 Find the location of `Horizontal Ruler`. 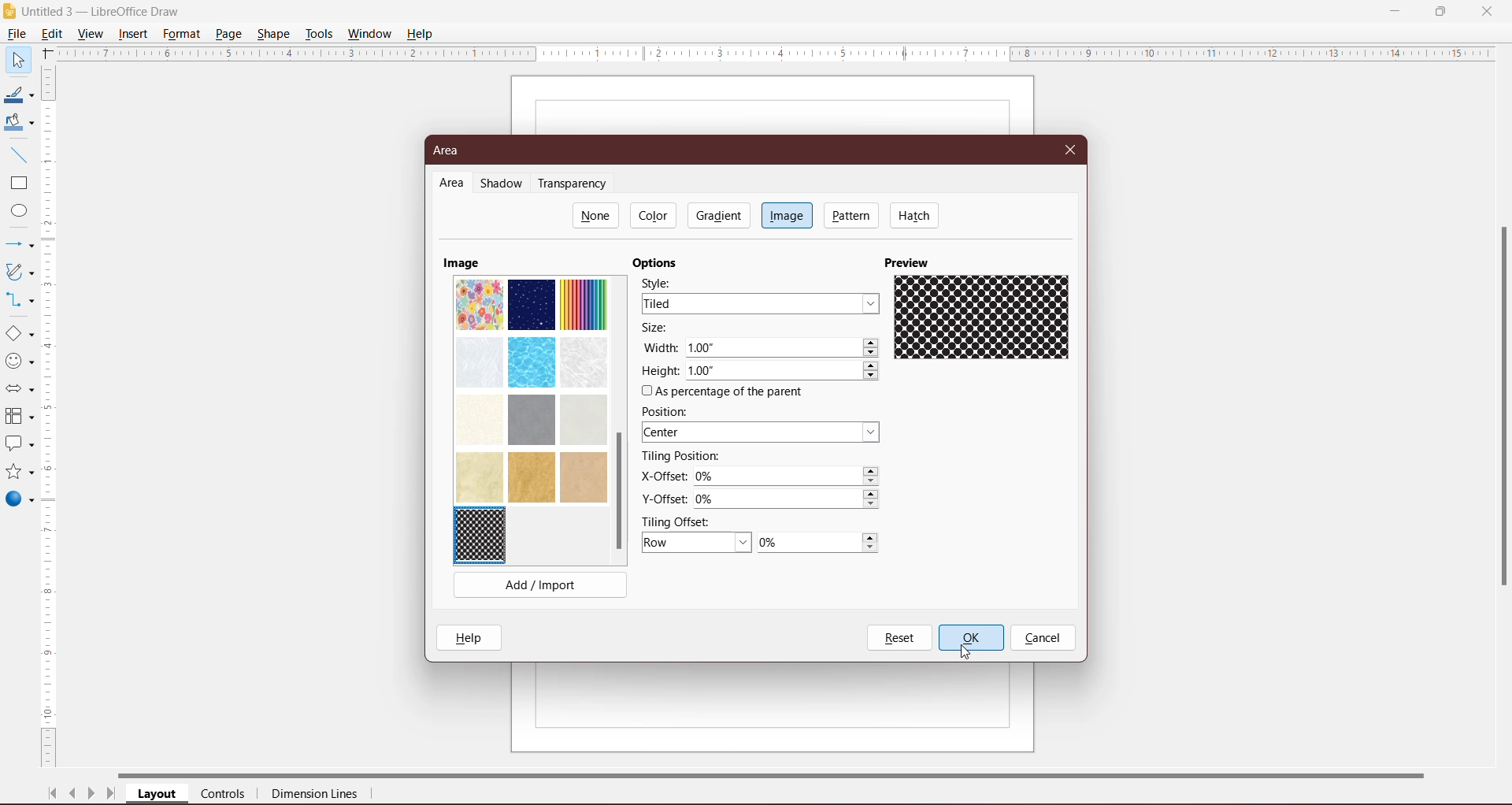

Horizontal Ruler is located at coordinates (776, 53).